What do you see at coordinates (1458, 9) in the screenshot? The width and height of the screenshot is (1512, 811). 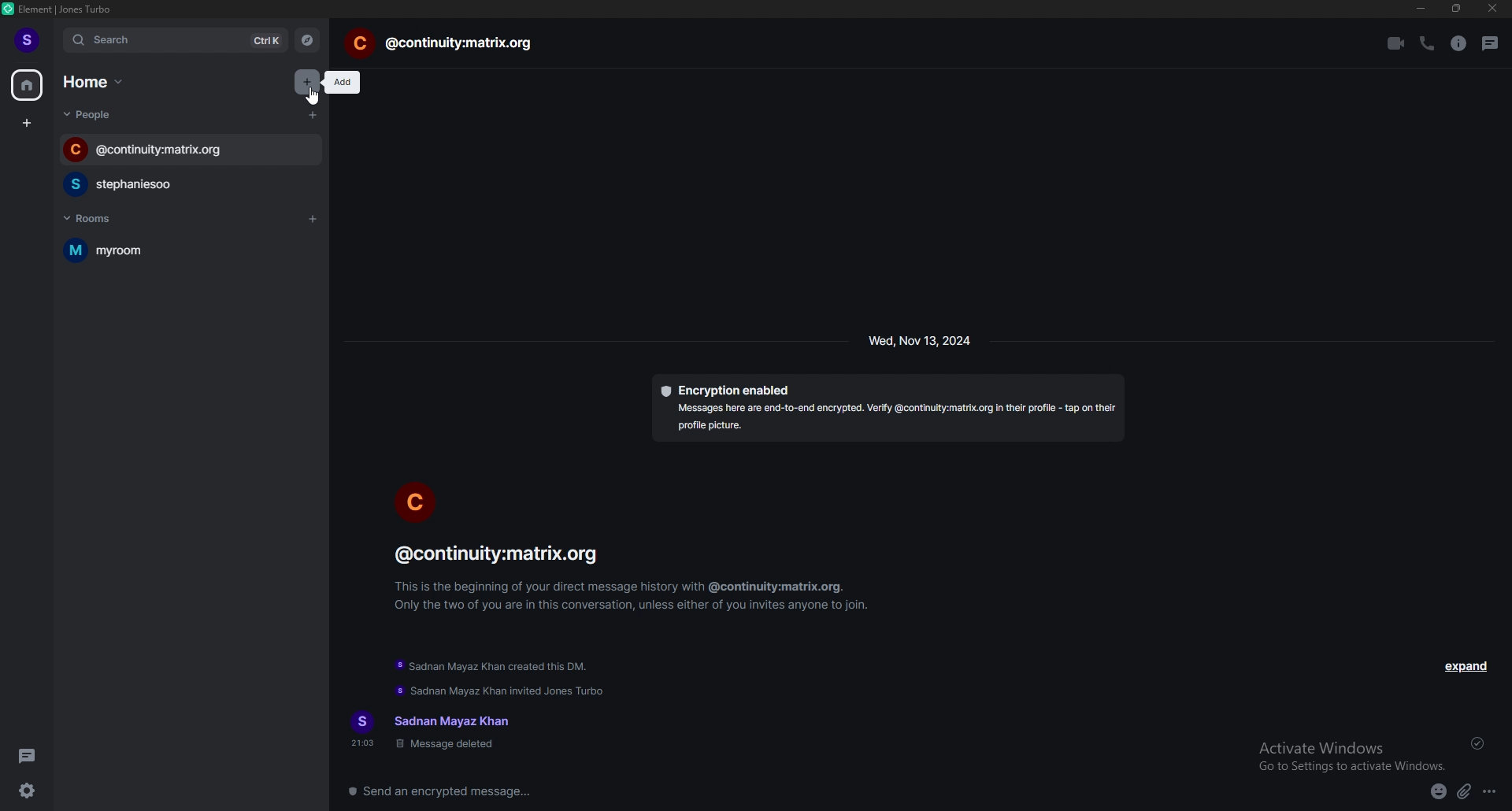 I see `resize` at bounding box center [1458, 9].